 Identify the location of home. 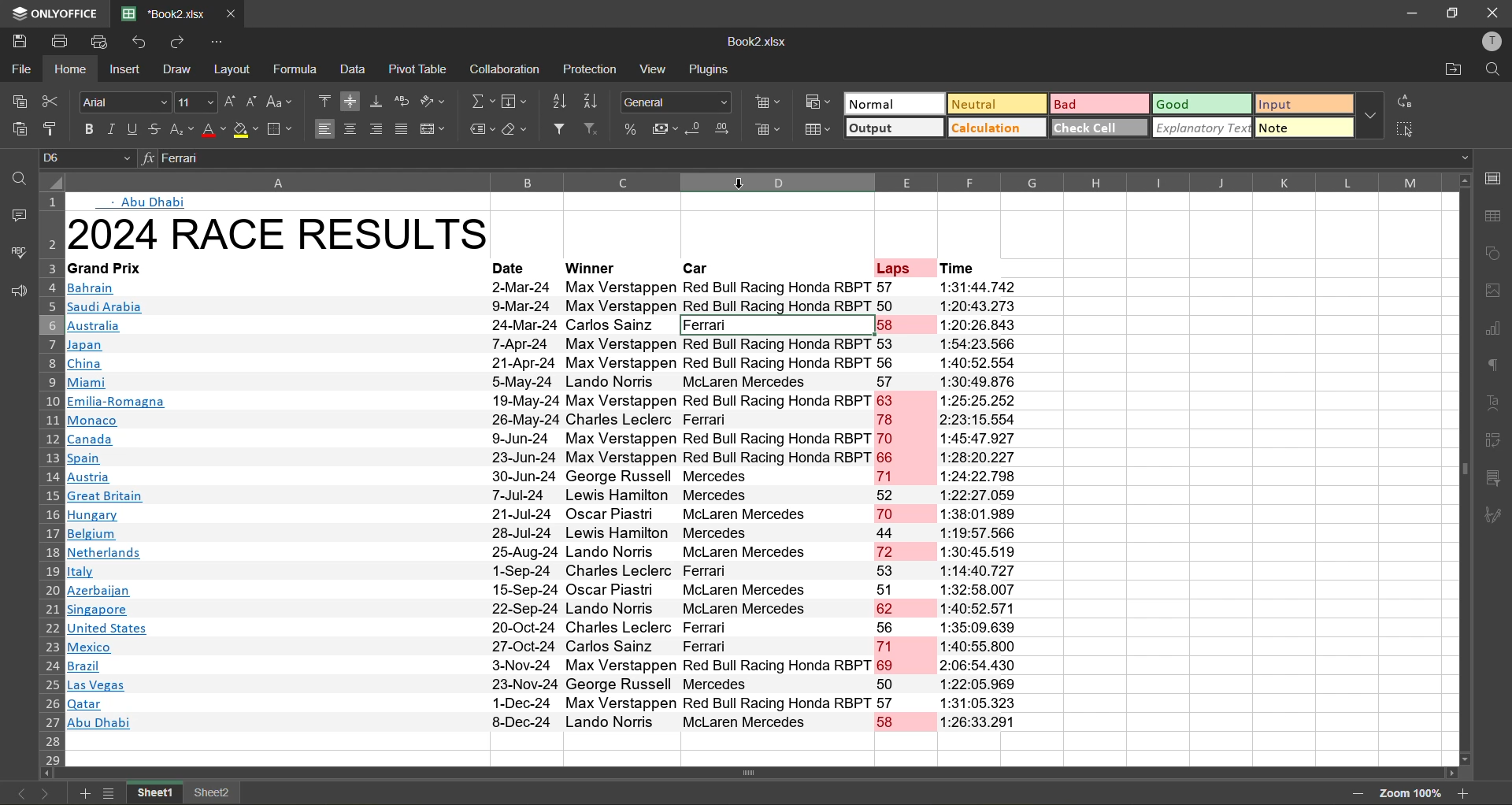
(72, 69).